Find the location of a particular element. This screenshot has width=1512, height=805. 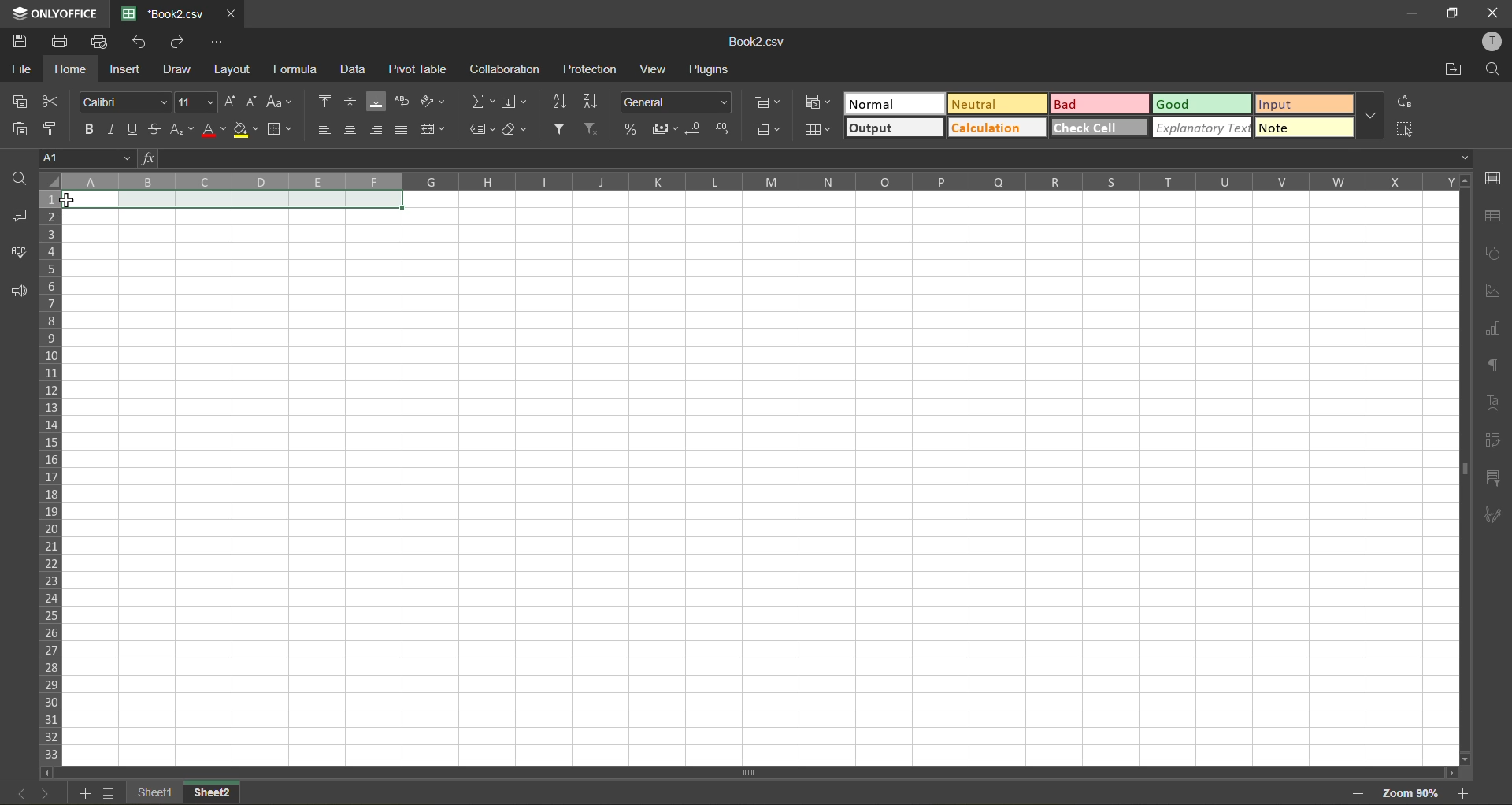

move left is located at coordinates (47, 773).